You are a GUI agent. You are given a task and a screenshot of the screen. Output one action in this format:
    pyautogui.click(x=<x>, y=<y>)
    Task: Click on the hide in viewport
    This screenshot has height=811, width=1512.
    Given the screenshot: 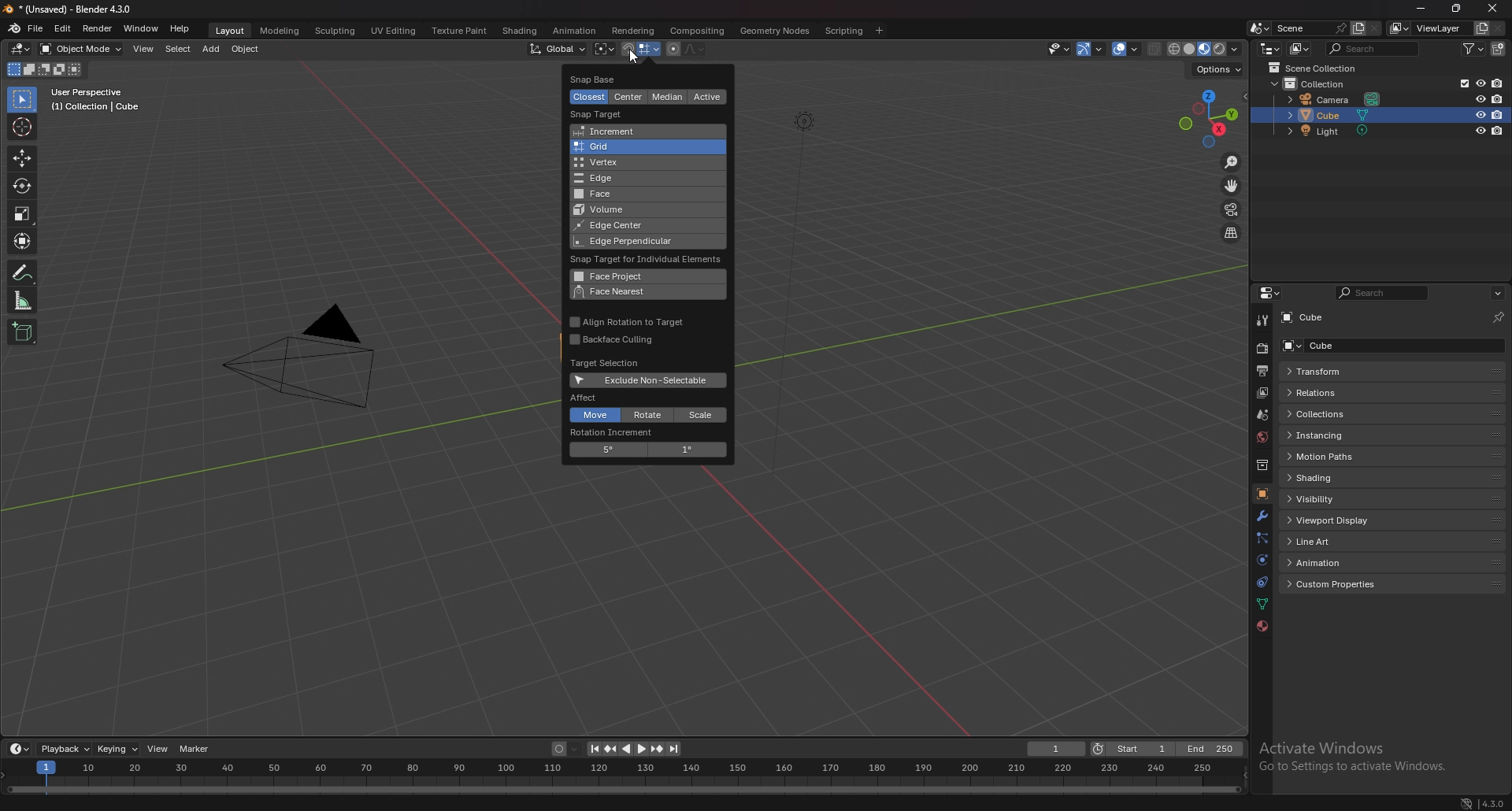 What is the action you would take?
    pyautogui.click(x=1480, y=114)
    